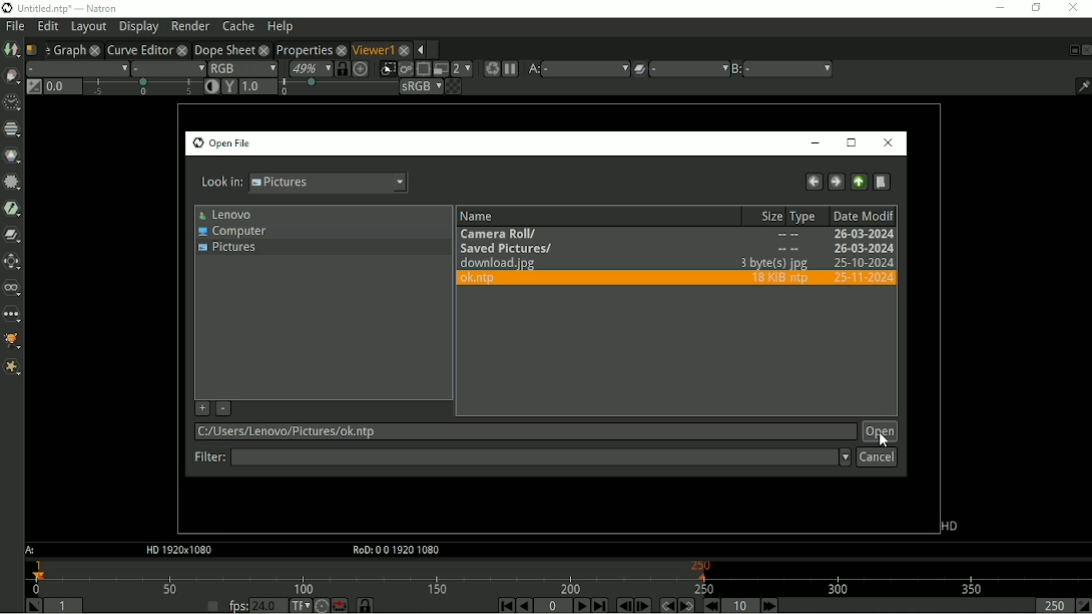 This screenshot has height=614, width=1092. Describe the element at coordinates (167, 68) in the screenshot. I see `Alpha channel` at that location.